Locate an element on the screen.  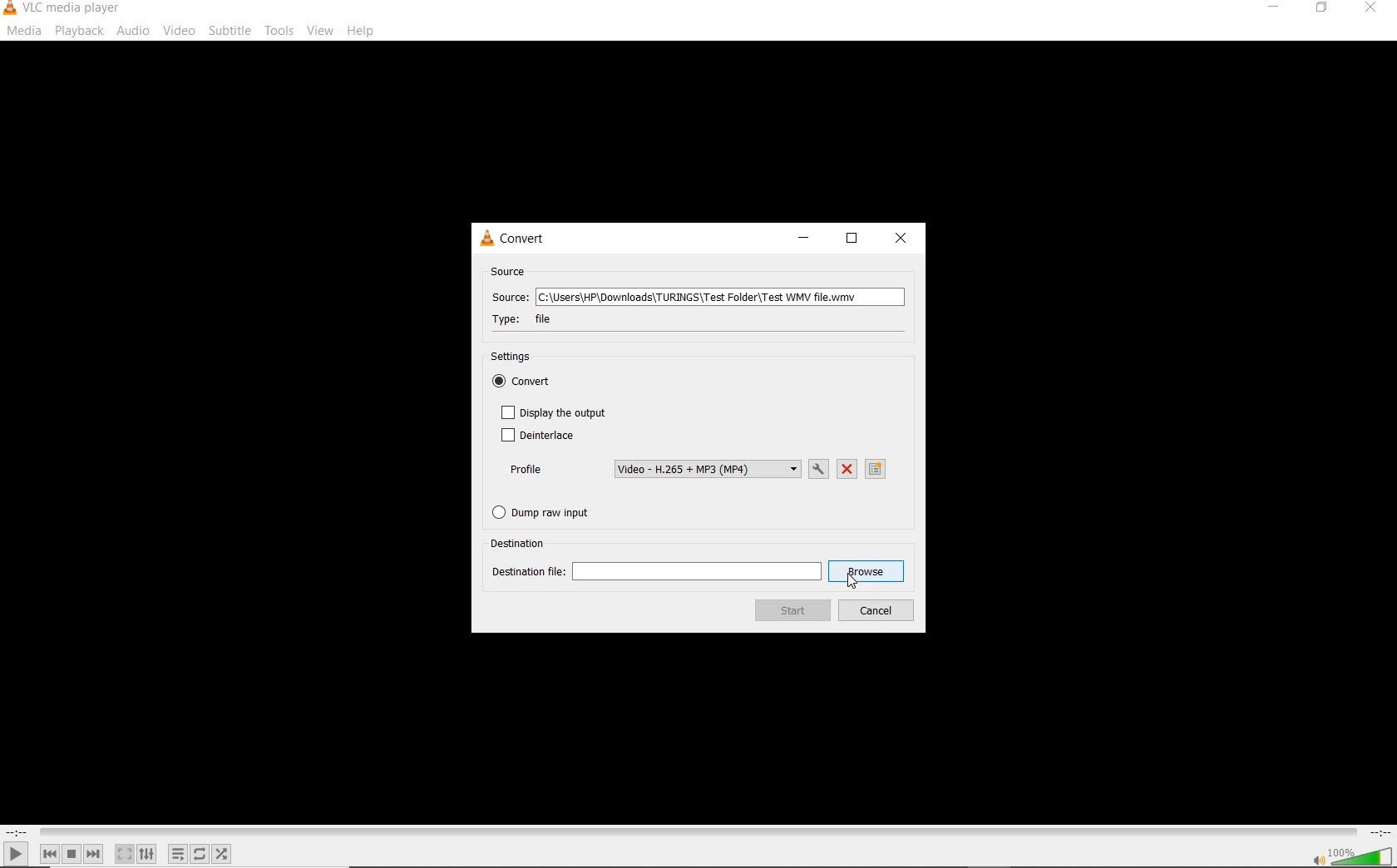
close is located at coordinates (1369, 11).